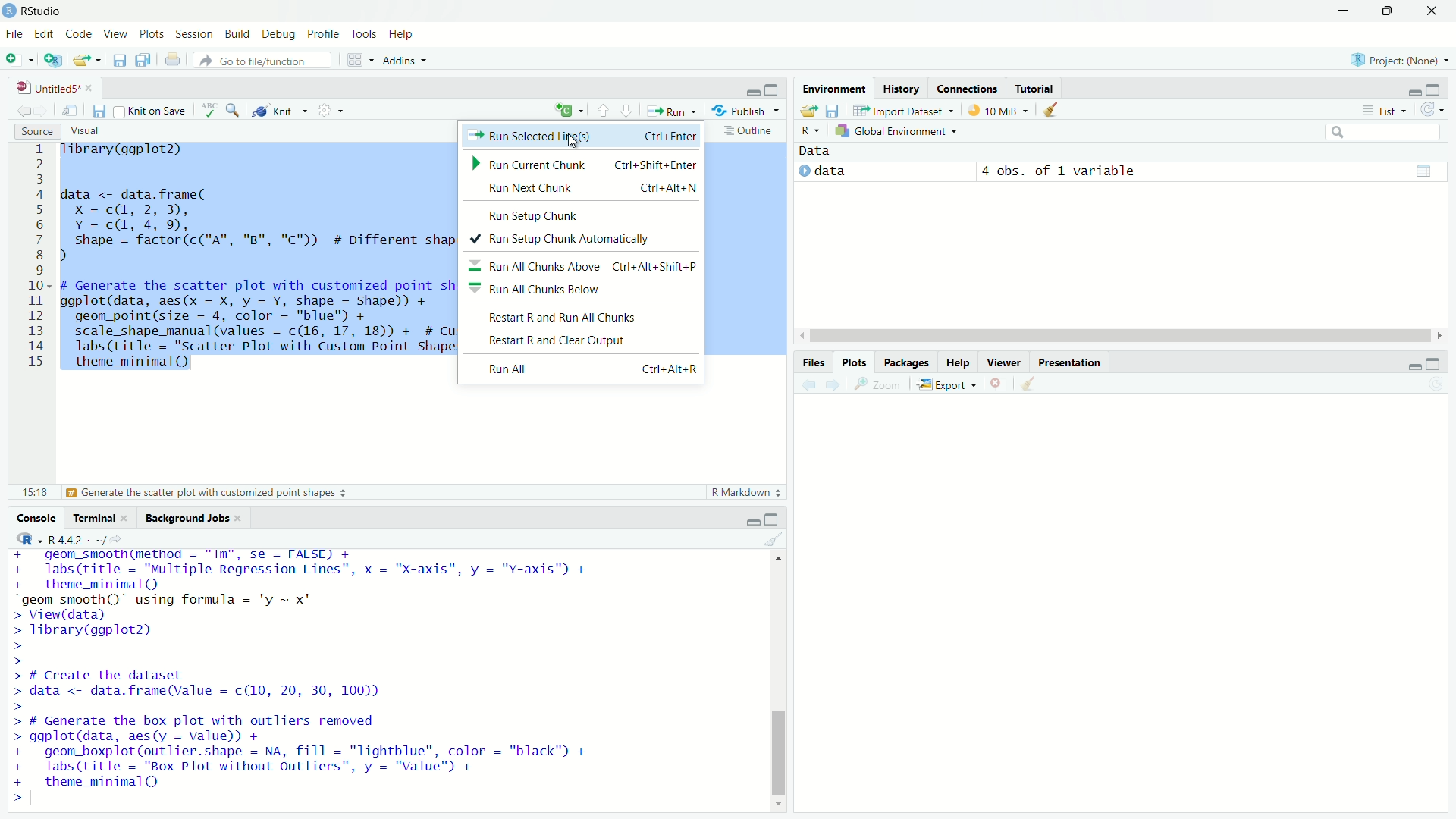 This screenshot has height=819, width=1456. I want to click on Run Current Chunk Ctrl+Shift+Enter, so click(582, 162).